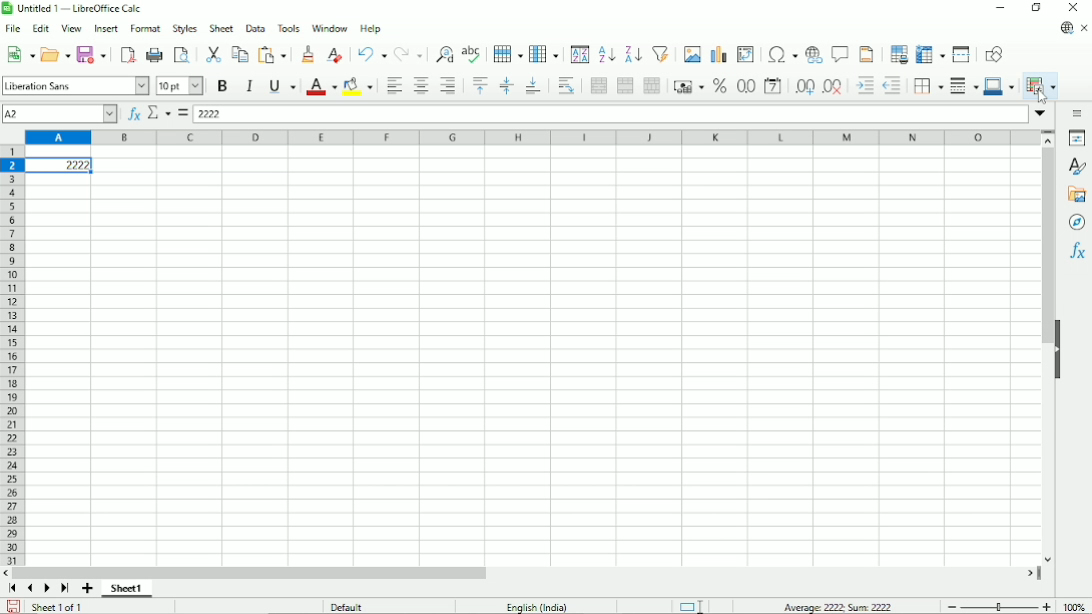 The height and width of the screenshot is (614, 1092). I want to click on Open, so click(56, 54).